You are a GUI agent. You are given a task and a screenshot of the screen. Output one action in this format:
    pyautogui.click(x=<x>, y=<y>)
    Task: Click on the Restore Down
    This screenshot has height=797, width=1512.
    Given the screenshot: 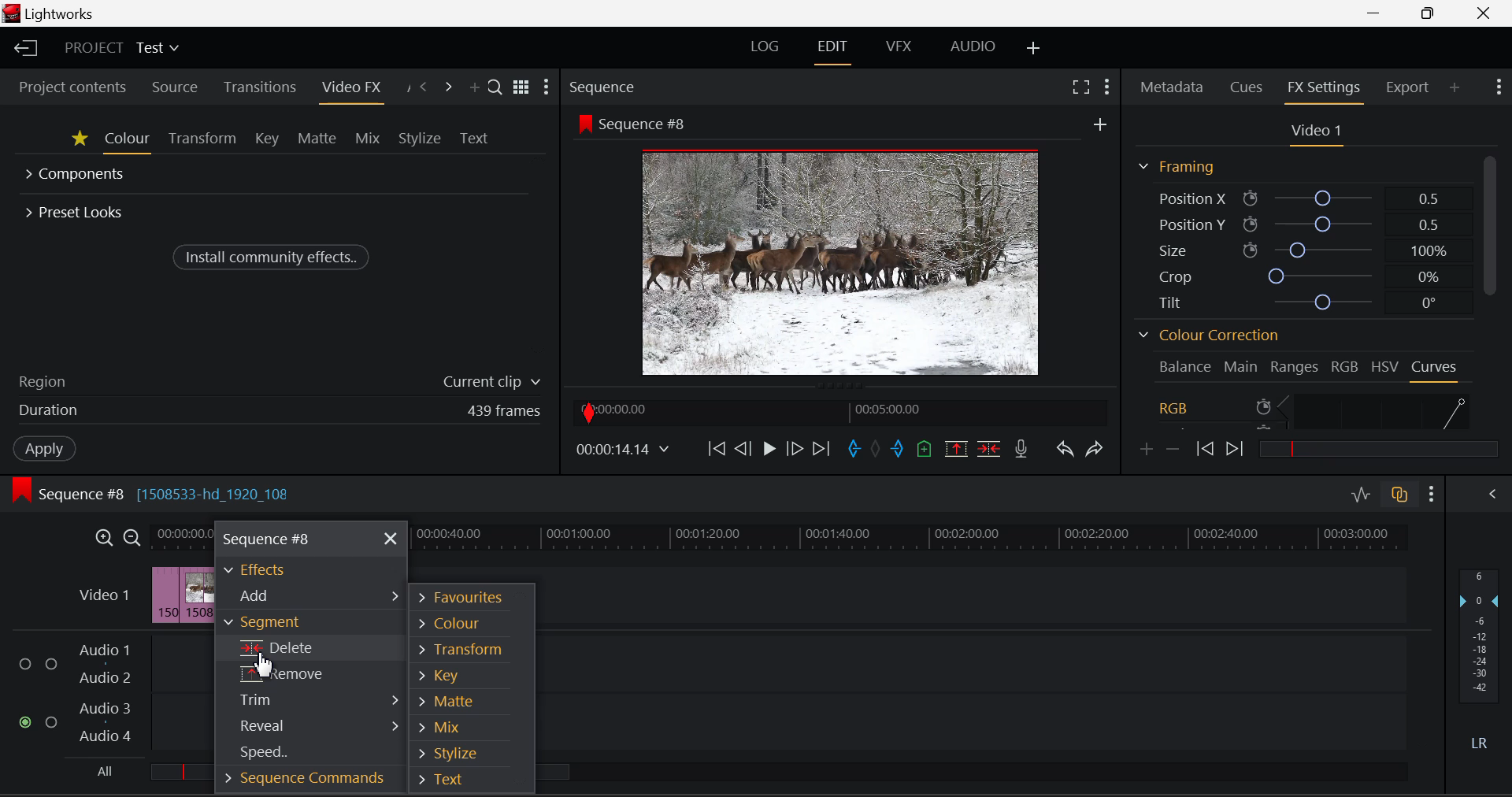 What is the action you would take?
    pyautogui.click(x=1376, y=13)
    